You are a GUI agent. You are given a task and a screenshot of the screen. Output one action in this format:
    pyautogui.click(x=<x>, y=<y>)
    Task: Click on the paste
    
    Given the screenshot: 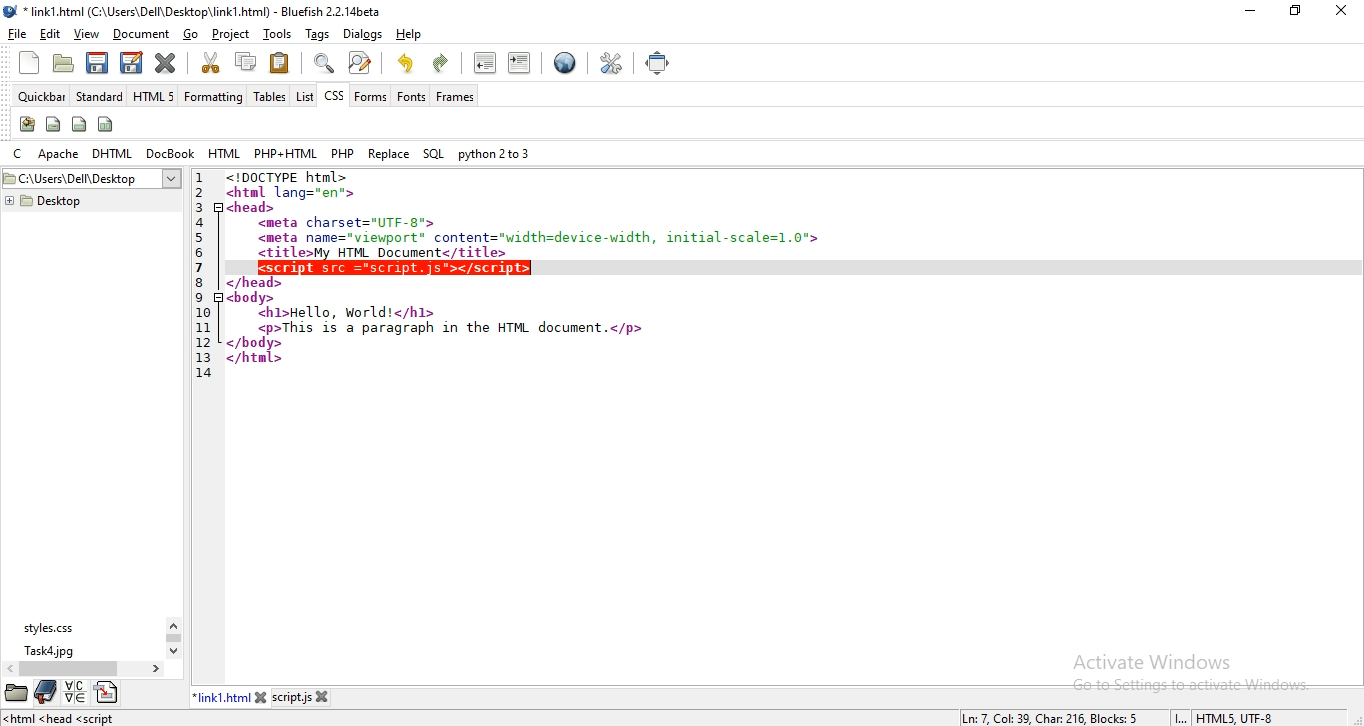 What is the action you would take?
    pyautogui.click(x=281, y=63)
    